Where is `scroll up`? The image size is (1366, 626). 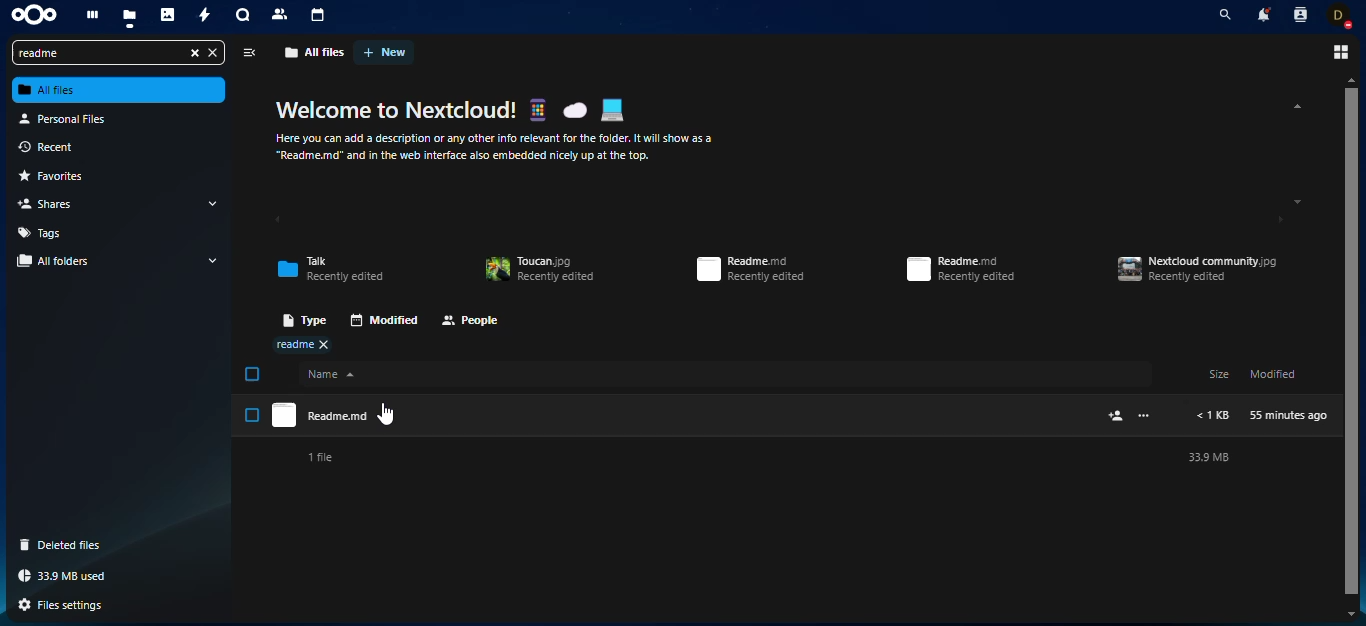
scroll up is located at coordinates (1352, 79).